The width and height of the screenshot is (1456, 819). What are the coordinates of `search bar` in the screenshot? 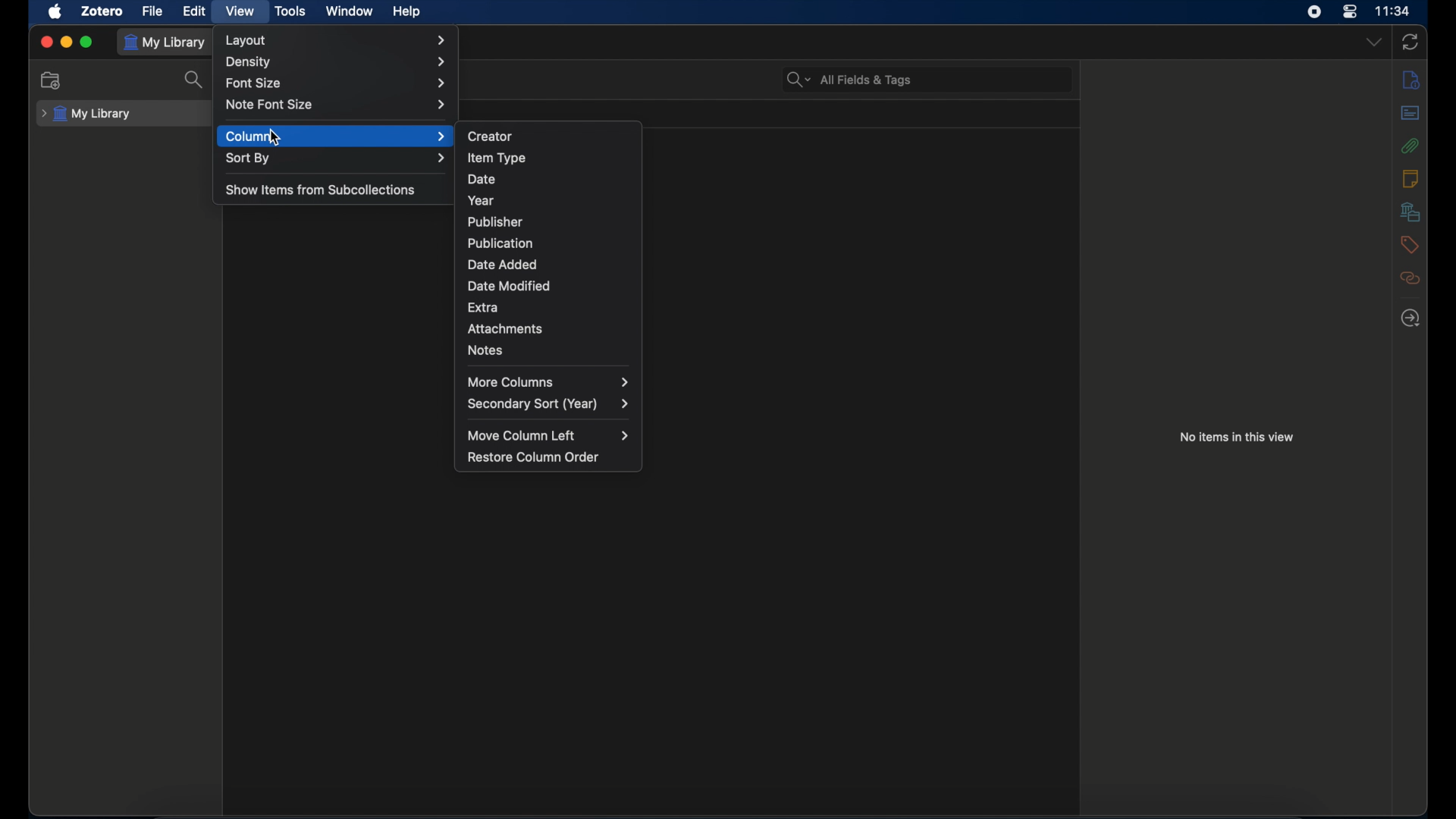 It's located at (849, 79).